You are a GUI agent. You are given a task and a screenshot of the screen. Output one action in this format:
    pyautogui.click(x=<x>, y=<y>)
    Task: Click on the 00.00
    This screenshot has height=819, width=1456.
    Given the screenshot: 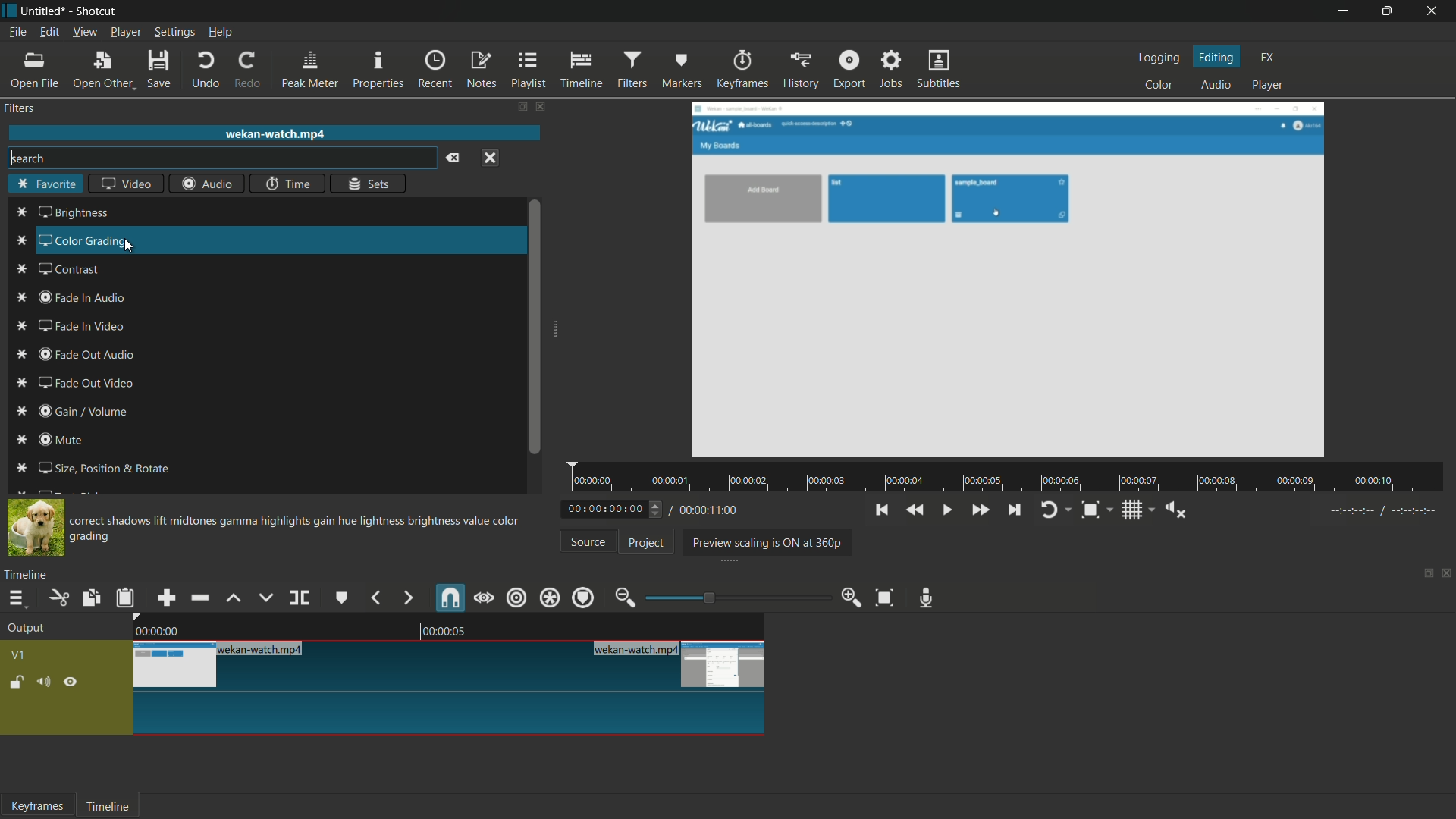 What is the action you would take?
    pyautogui.click(x=156, y=629)
    